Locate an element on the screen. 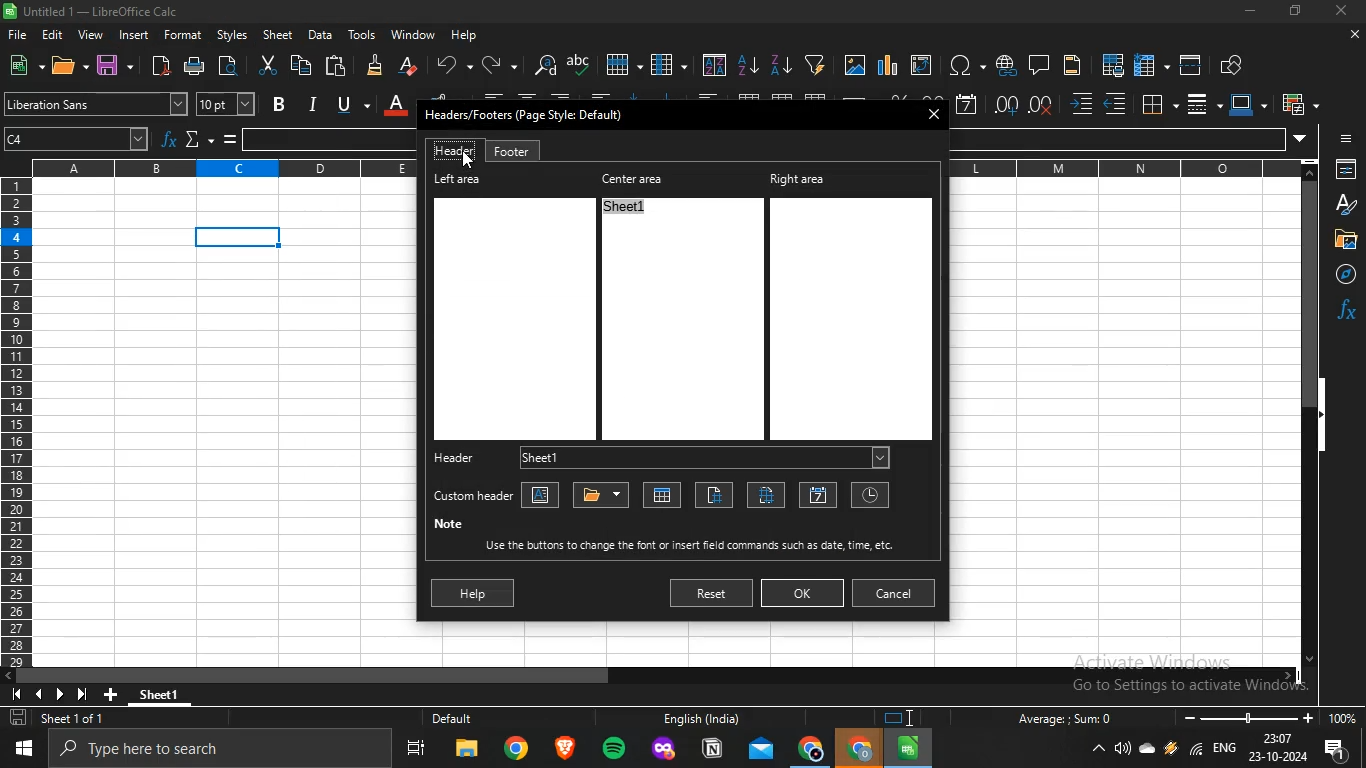 The height and width of the screenshot is (768, 1366). start is located at coordinates (28, 748).